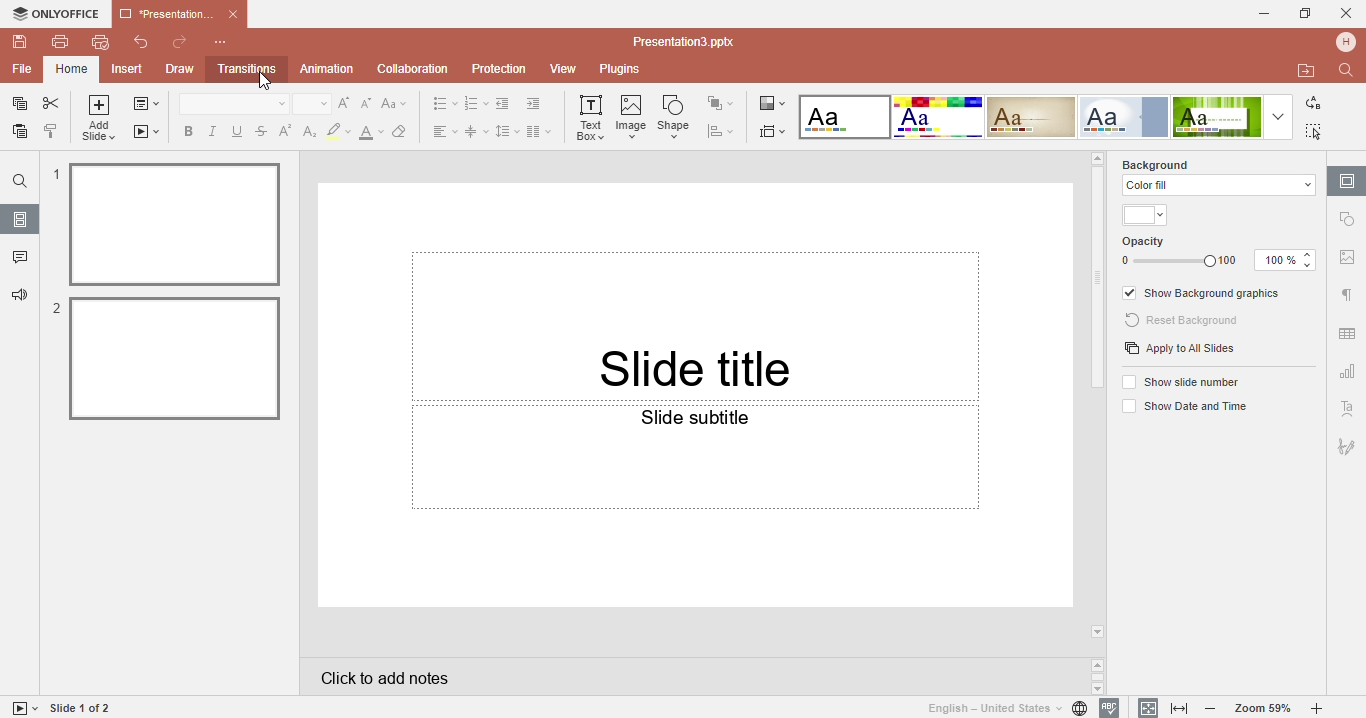 The image size is (1366, 718). What do you see at coordinates (231, 42) in the screenshot?
I see `Customize quick access toolbar` at bounding box center [231, 42].